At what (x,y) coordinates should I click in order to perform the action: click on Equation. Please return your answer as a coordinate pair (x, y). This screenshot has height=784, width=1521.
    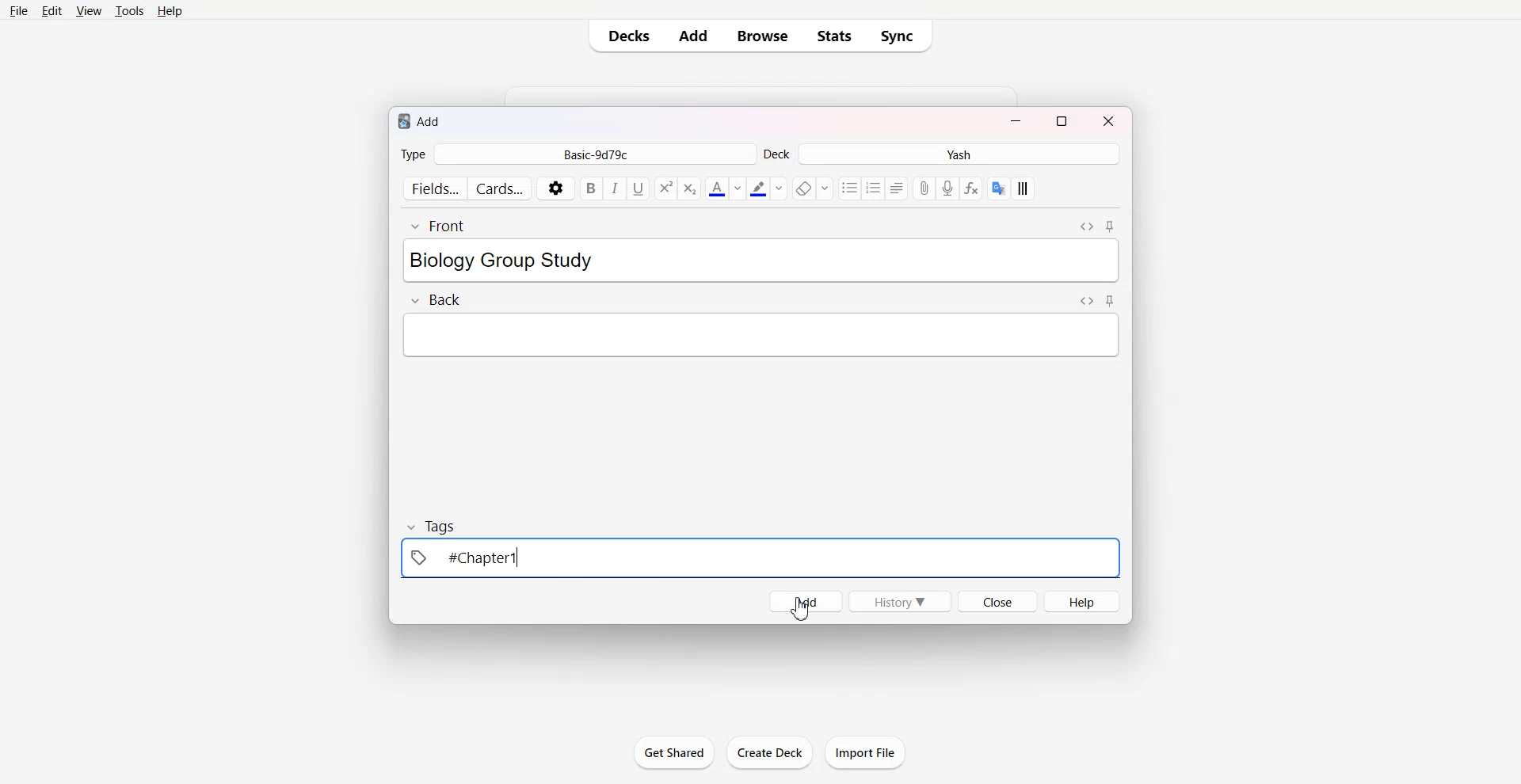
    Looking at the image, I should click on (972, 188).